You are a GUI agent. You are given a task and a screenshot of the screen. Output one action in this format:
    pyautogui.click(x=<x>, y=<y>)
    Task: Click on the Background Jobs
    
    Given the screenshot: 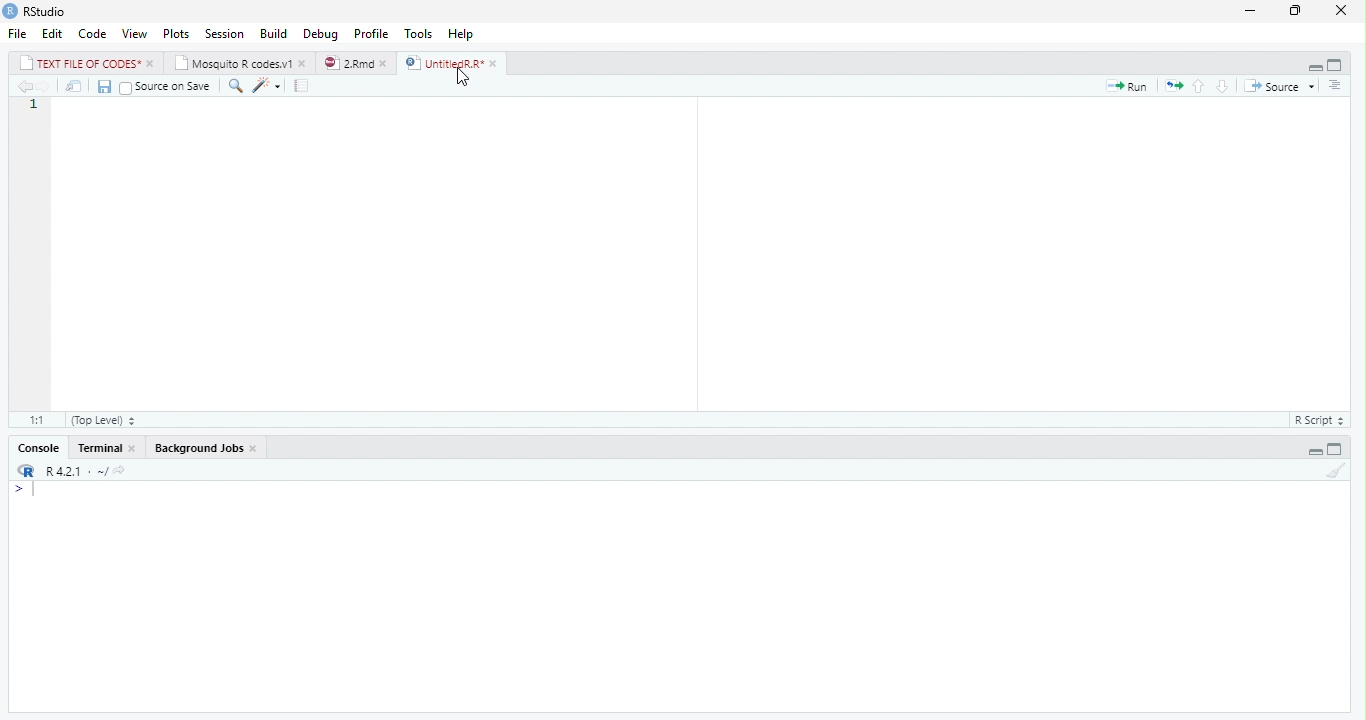 What is the action you would take?
    pyautogui.click(x=202, y=448)
    